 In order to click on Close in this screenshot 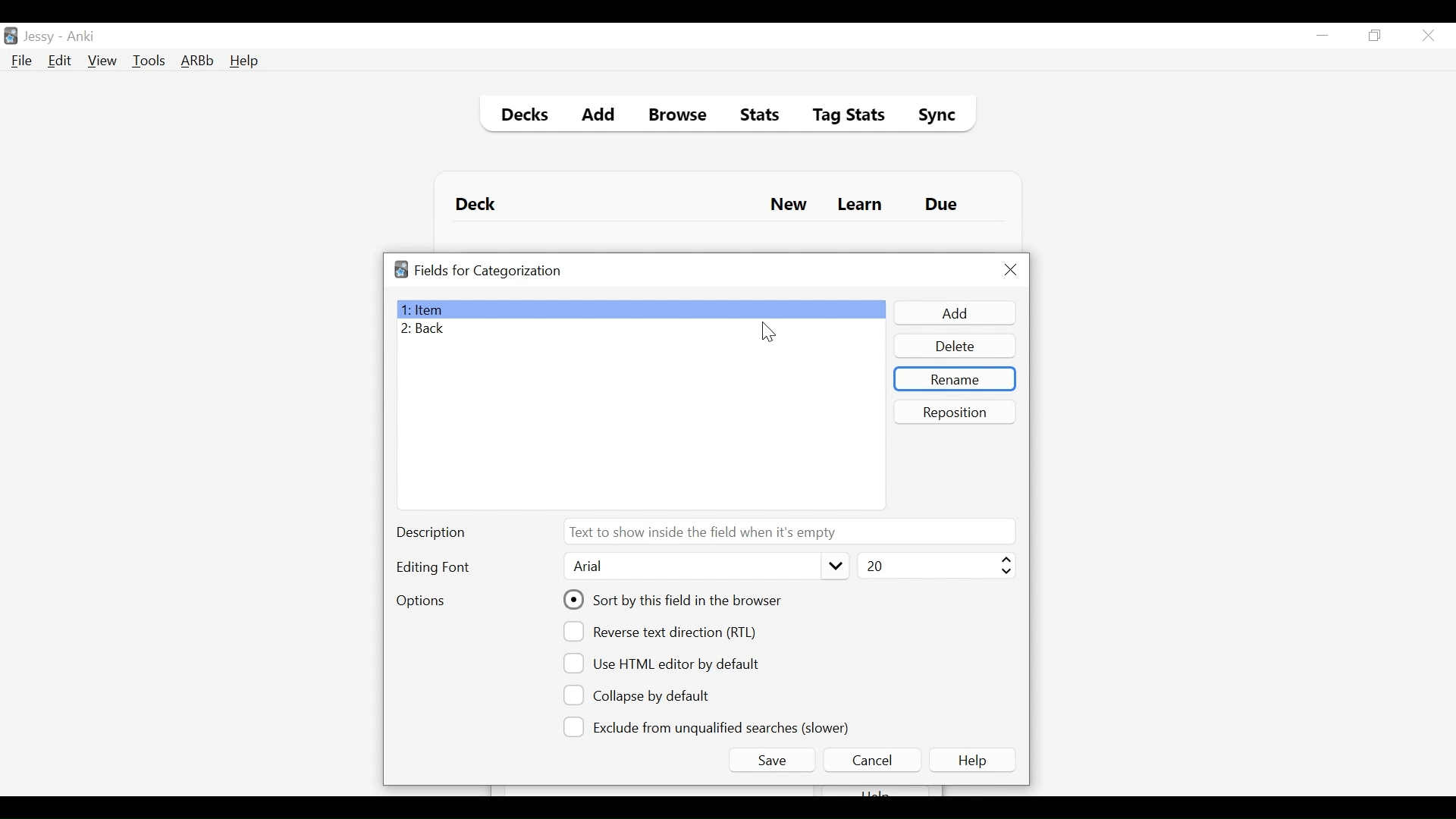, I will do `click(1428, 36)`.